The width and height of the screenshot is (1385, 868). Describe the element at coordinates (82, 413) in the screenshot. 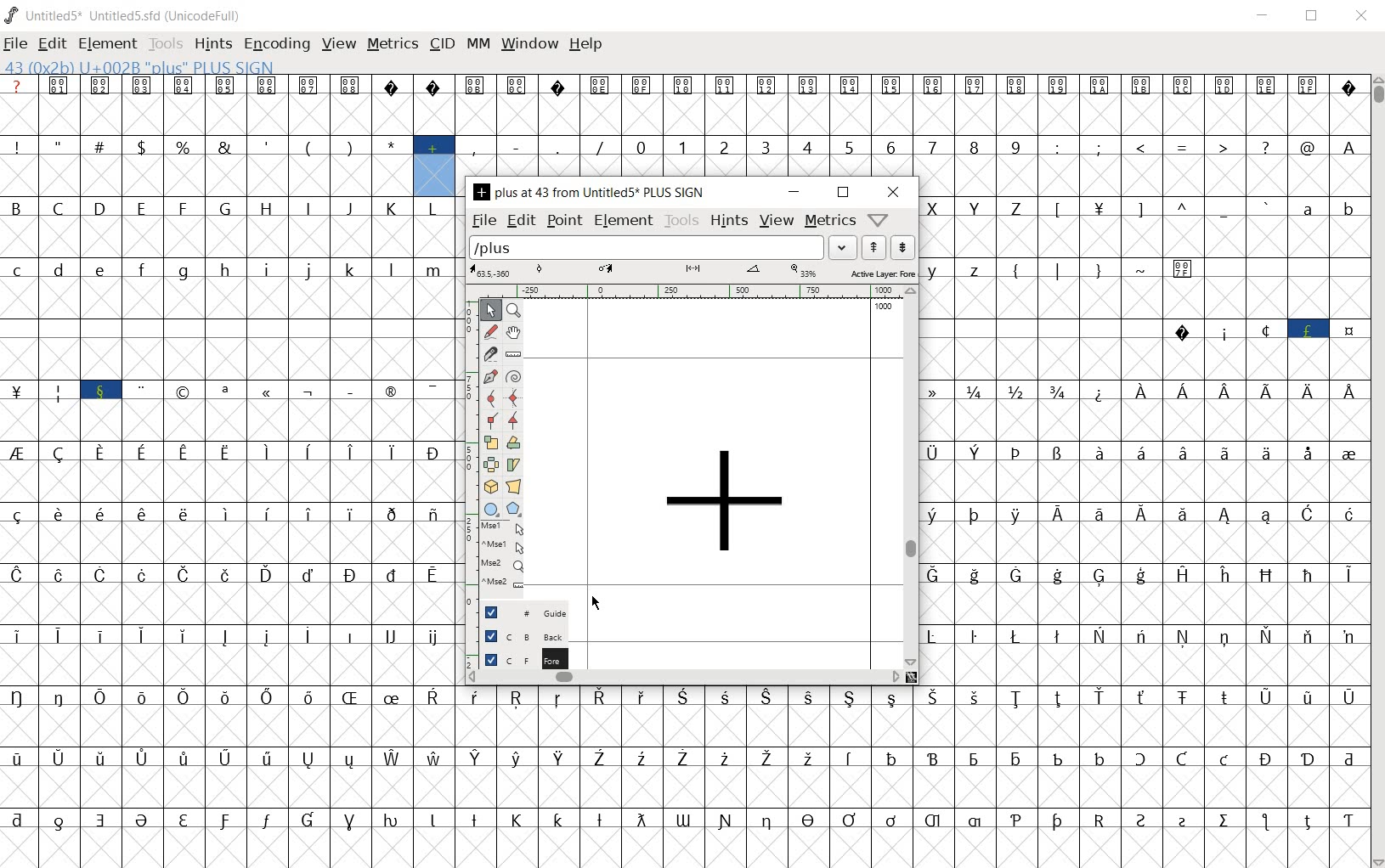

I see `special characters` at that location.